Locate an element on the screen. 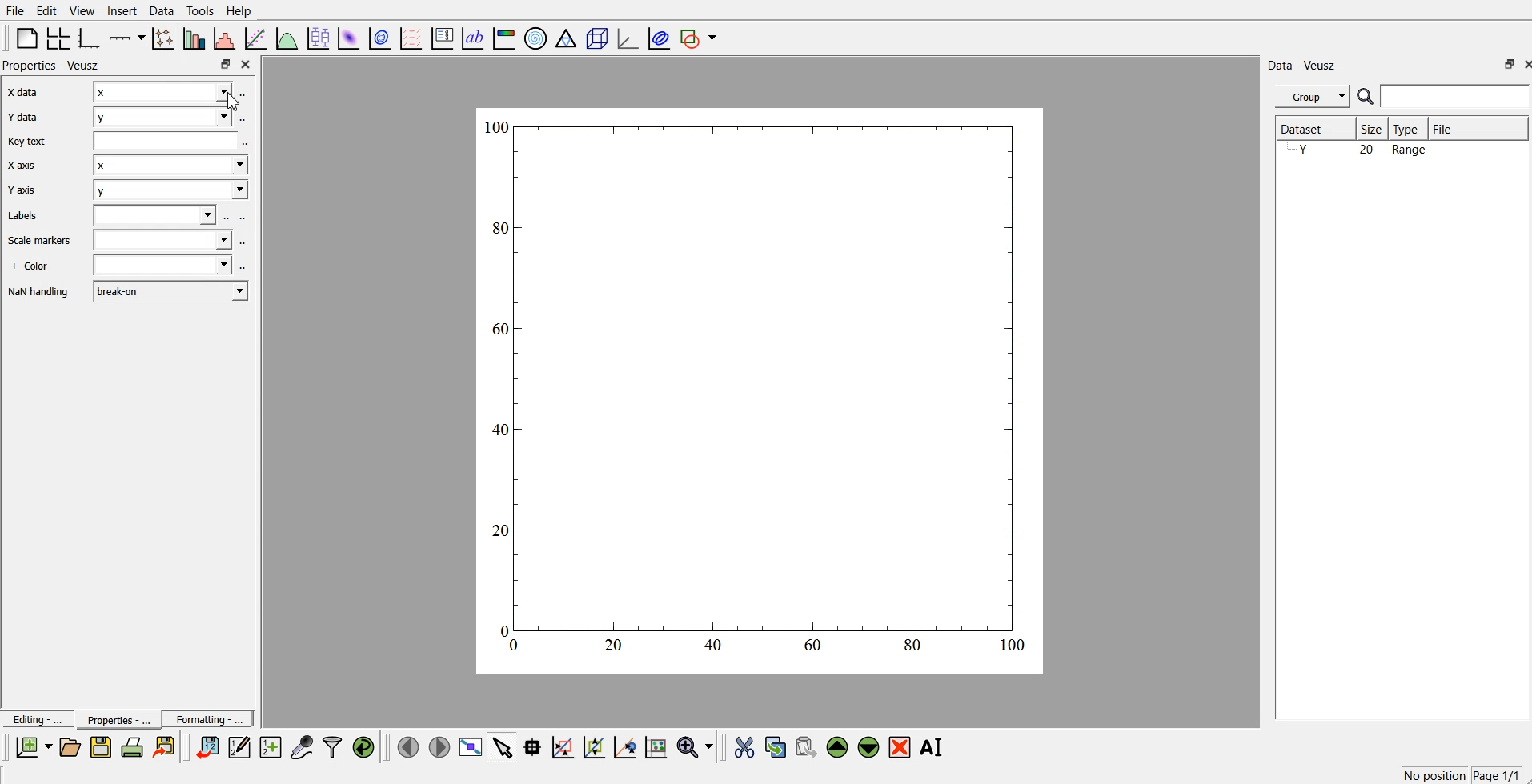 The height and width of the screenshot is (784, 1532). field is located at coordinates (157, 216).